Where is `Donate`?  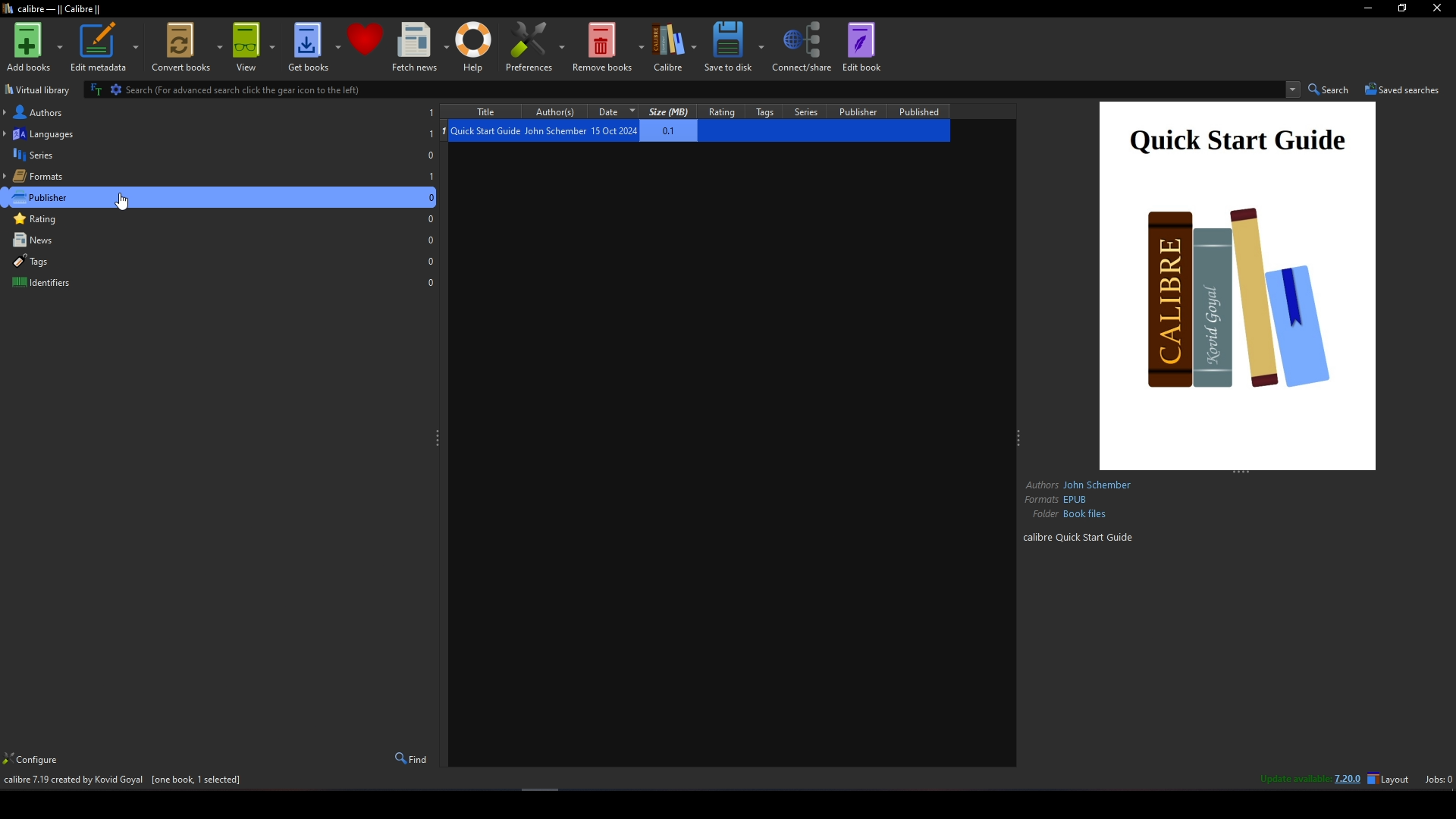
Donate is located at coordinates (366, 39).